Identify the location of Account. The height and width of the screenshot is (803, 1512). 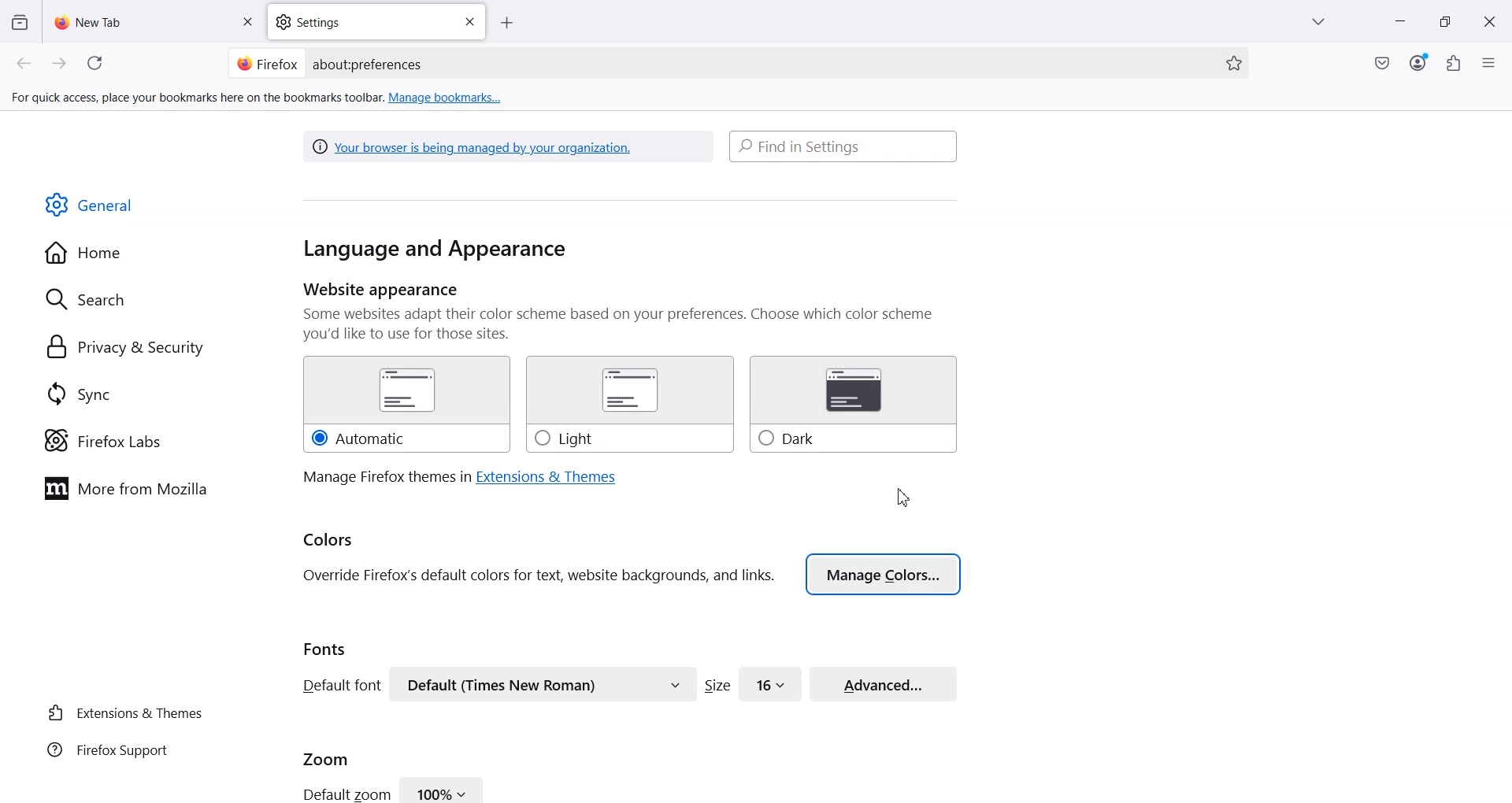
(1418, 63).